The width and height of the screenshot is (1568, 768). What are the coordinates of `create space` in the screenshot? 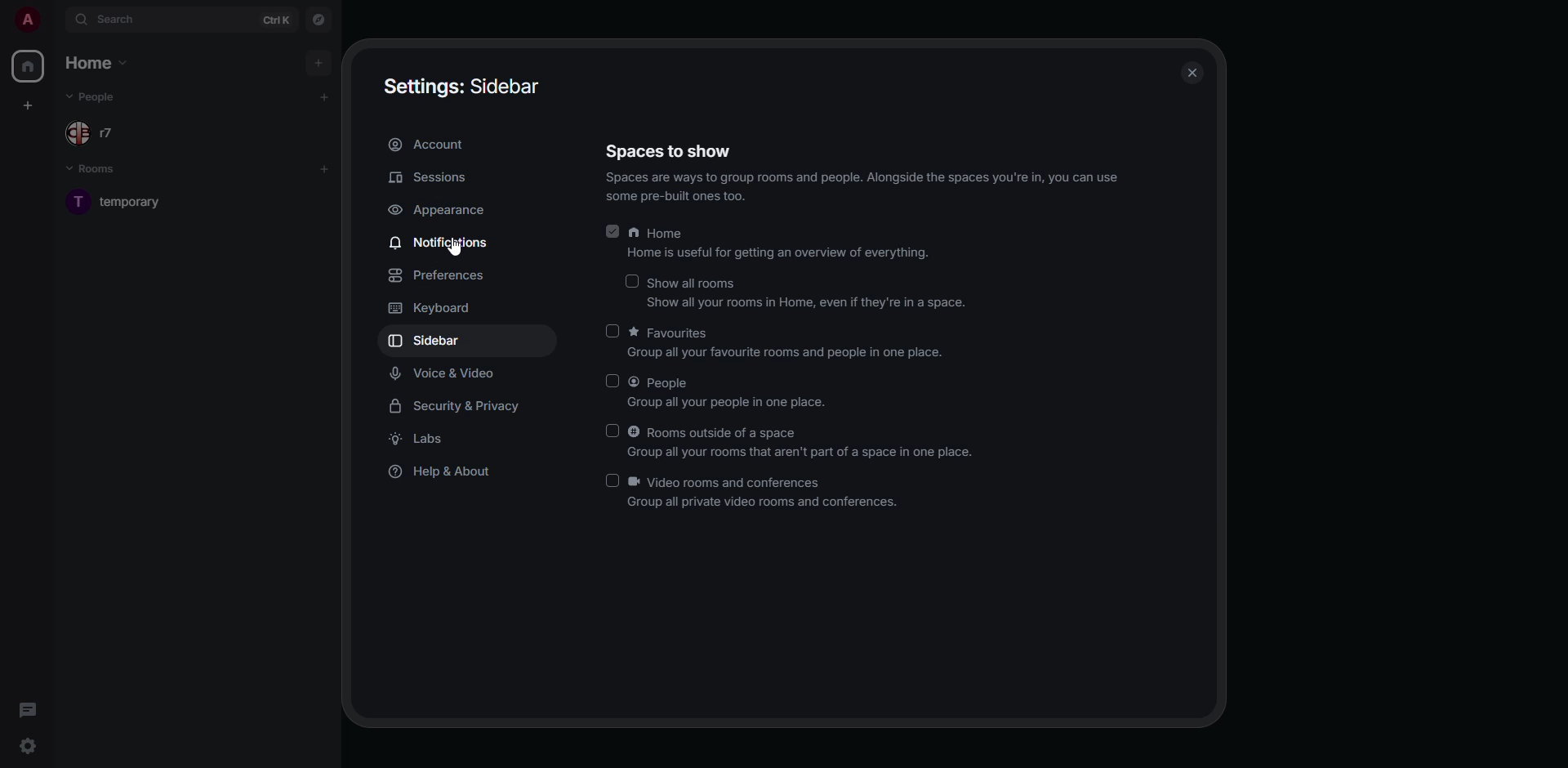 It's located at (25, 105).